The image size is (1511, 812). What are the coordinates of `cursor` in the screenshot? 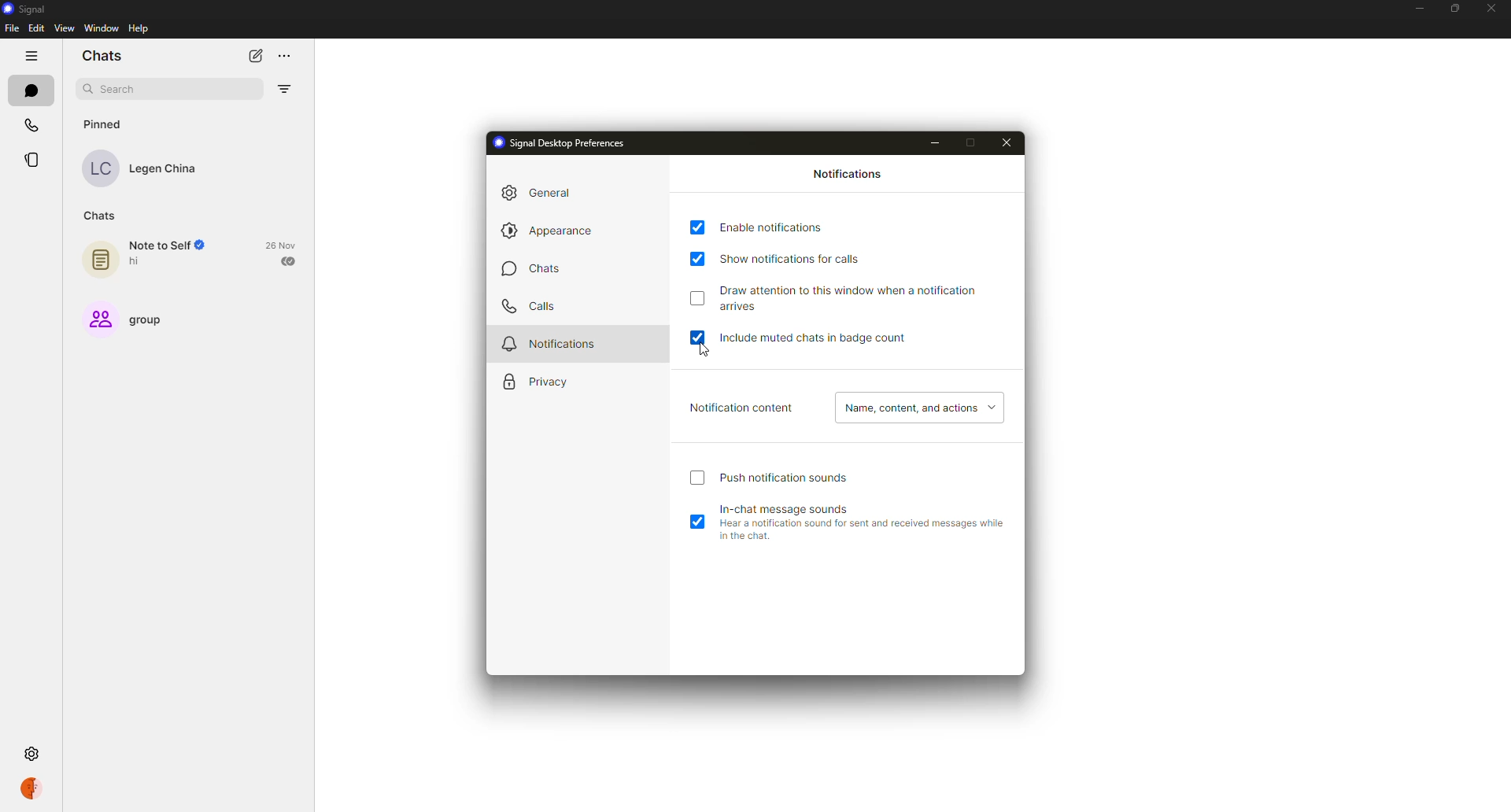 It's located at (703, 353).